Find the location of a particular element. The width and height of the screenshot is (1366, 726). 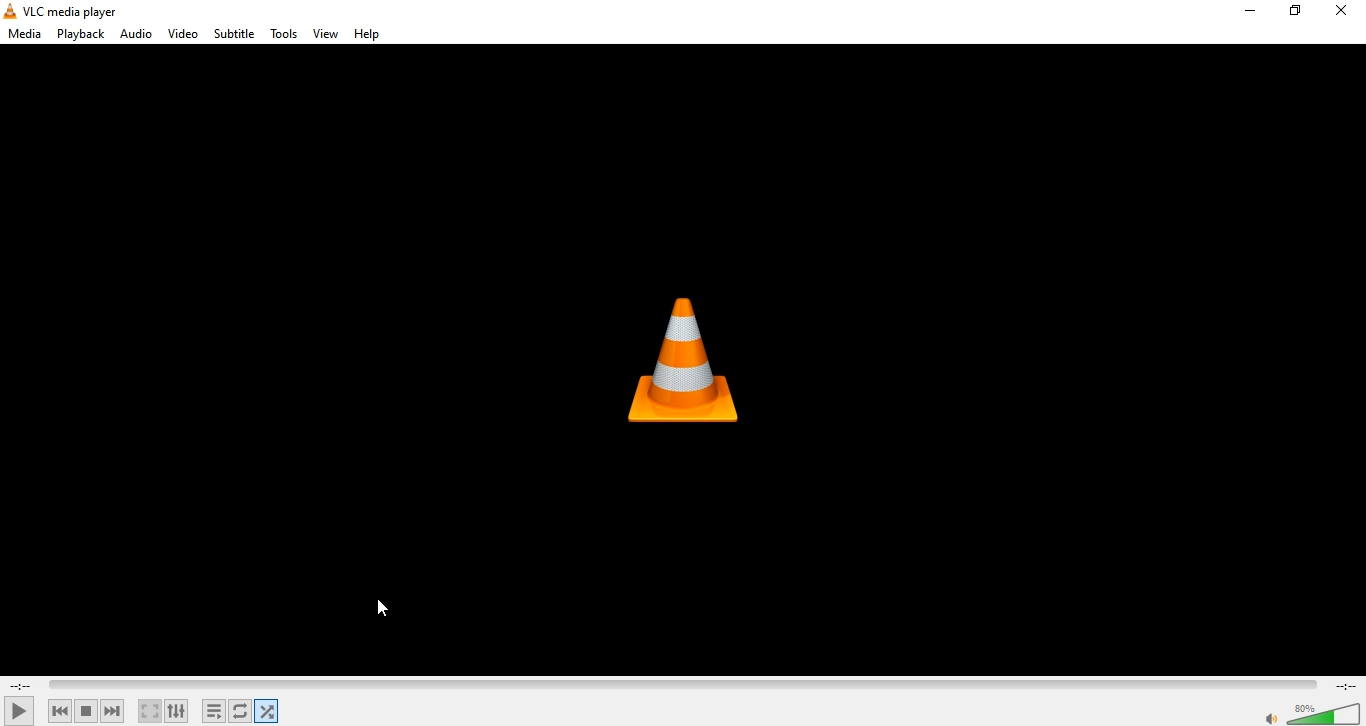

media is located at coordinates (25, 34).